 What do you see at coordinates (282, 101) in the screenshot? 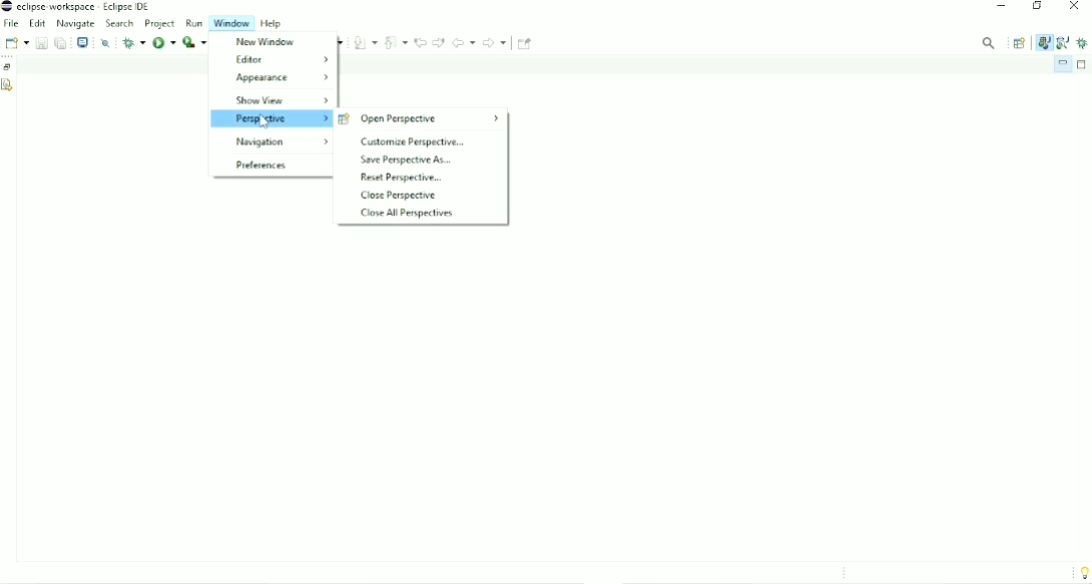
I see `Show View` at bounding box center [282, 101].